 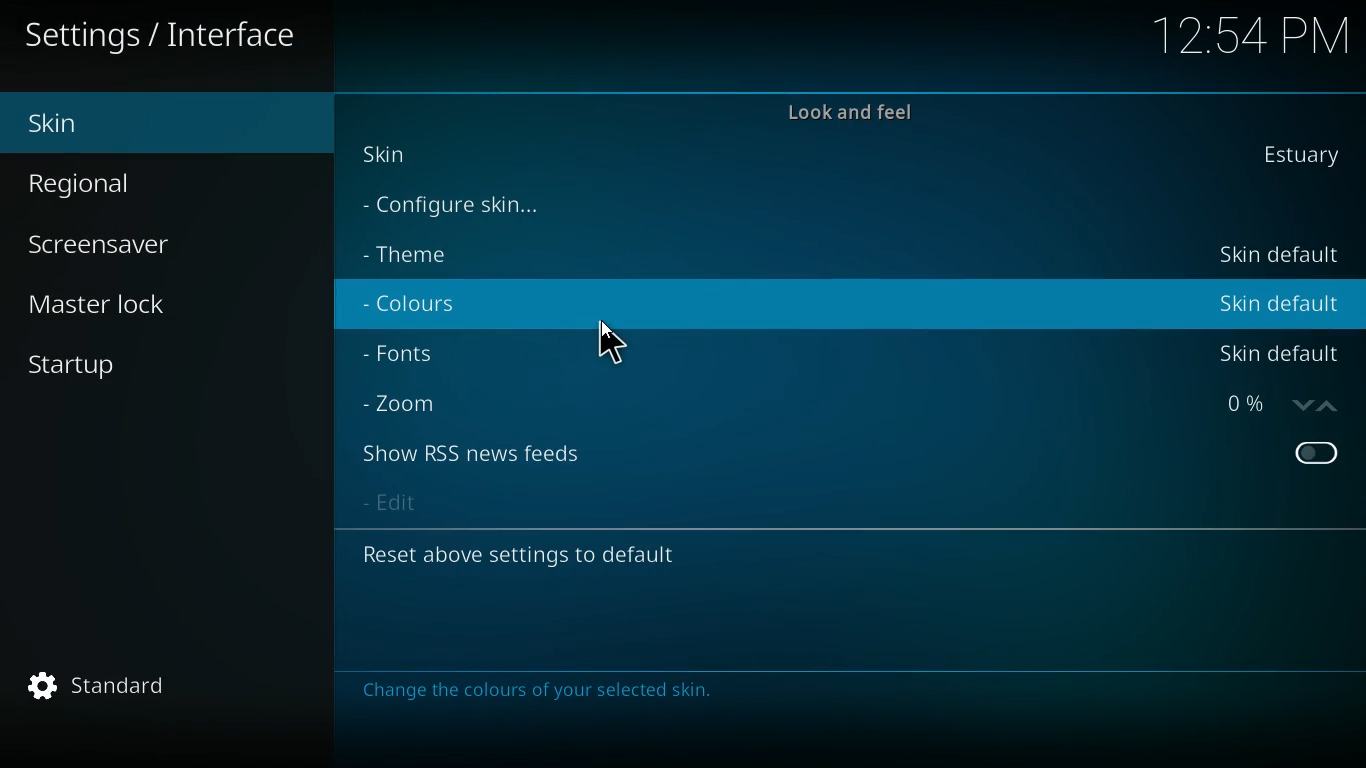 I want to click on cursor, so click(x=613, y=341).